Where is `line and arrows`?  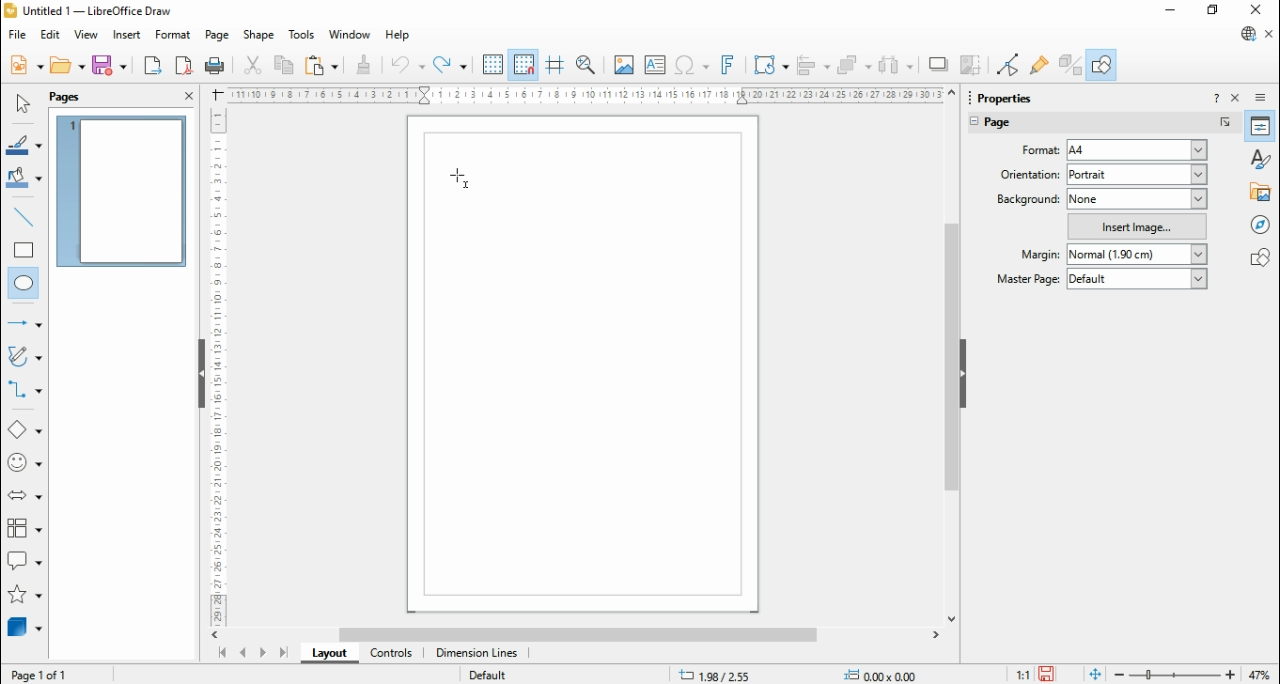
line and arrows is located at coordinates (25, 323).